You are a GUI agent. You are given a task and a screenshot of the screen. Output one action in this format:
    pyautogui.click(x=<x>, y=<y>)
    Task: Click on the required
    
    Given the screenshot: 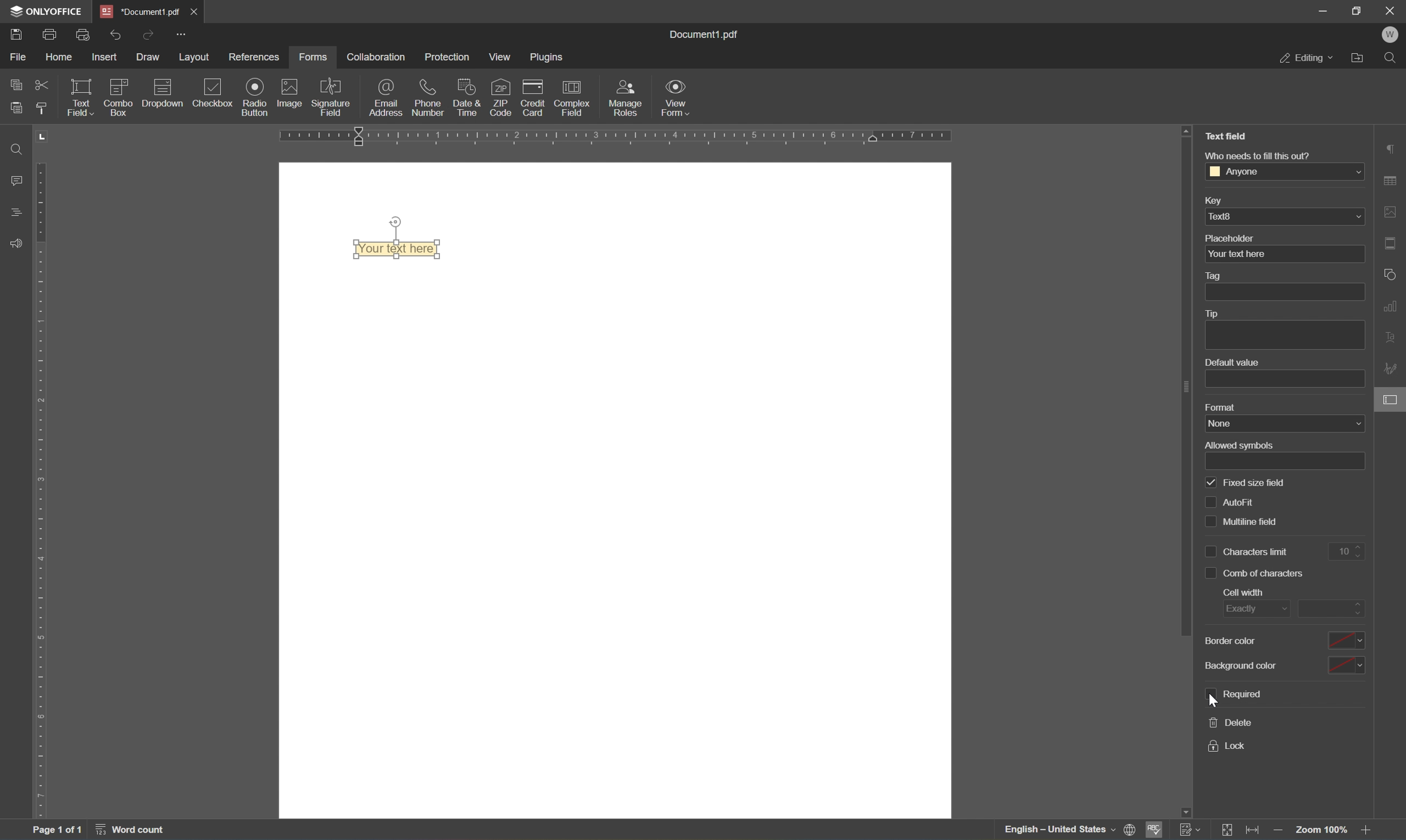 What is the action you would take?
    pyautogui.click(x=1237, y=695)
    